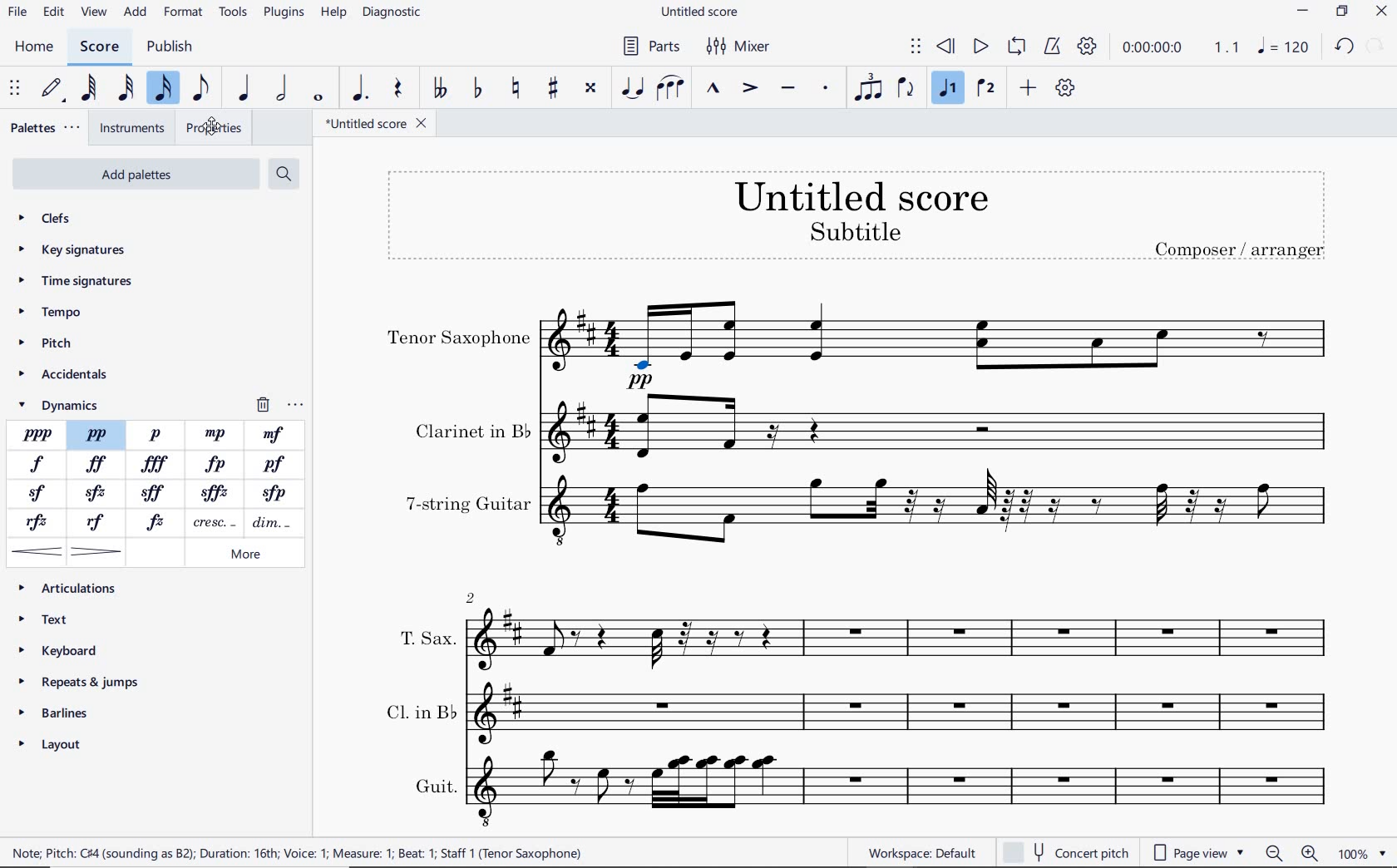 The width and height of the screenshot is (1397, 868). I want to click on PLAY TIME, so click(1179, 49).